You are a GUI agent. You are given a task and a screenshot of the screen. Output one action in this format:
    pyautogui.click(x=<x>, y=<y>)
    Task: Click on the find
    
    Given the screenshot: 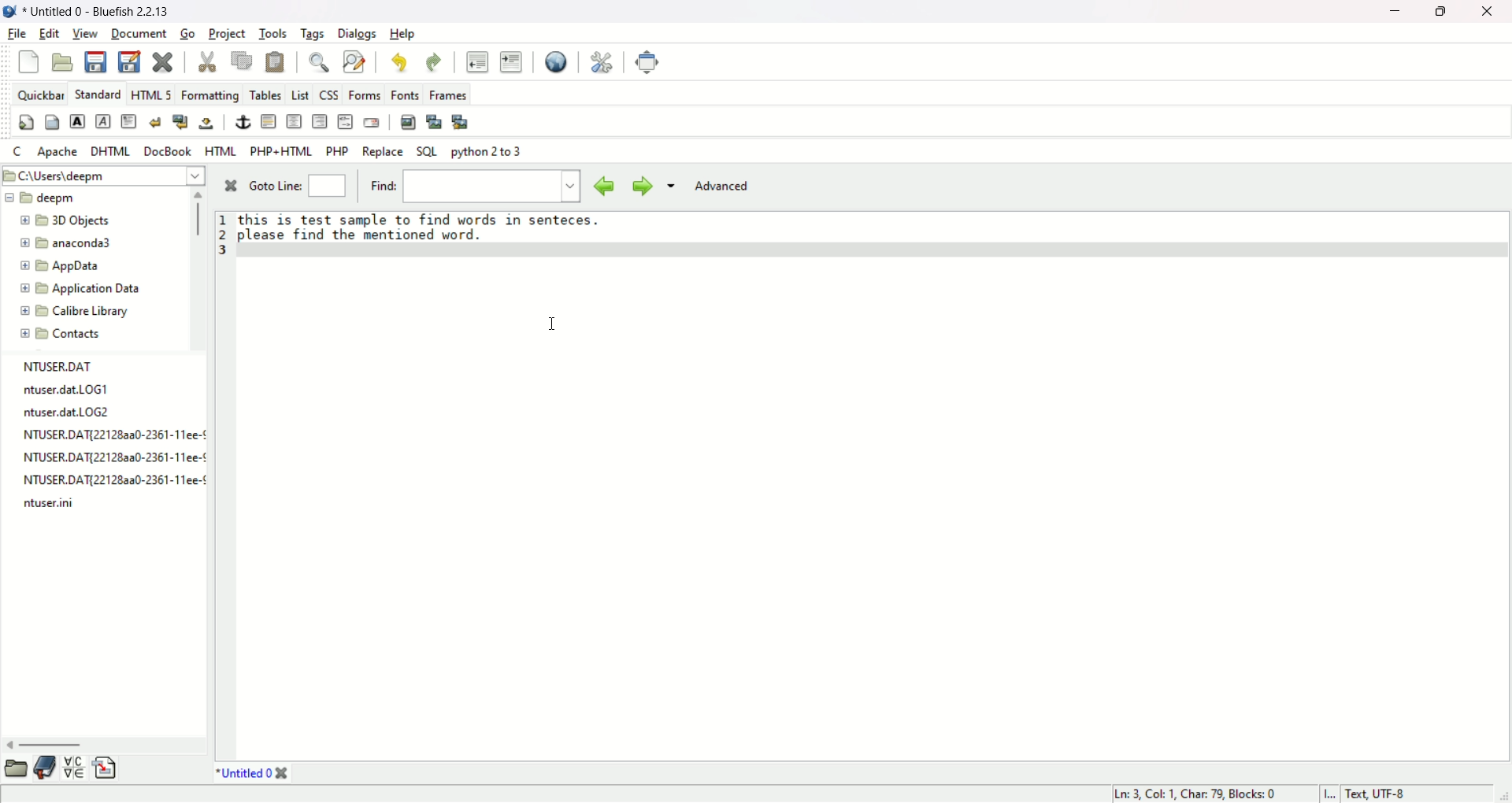 What is the action you would take?
    pyautogui.click(x=319, y=61)
    